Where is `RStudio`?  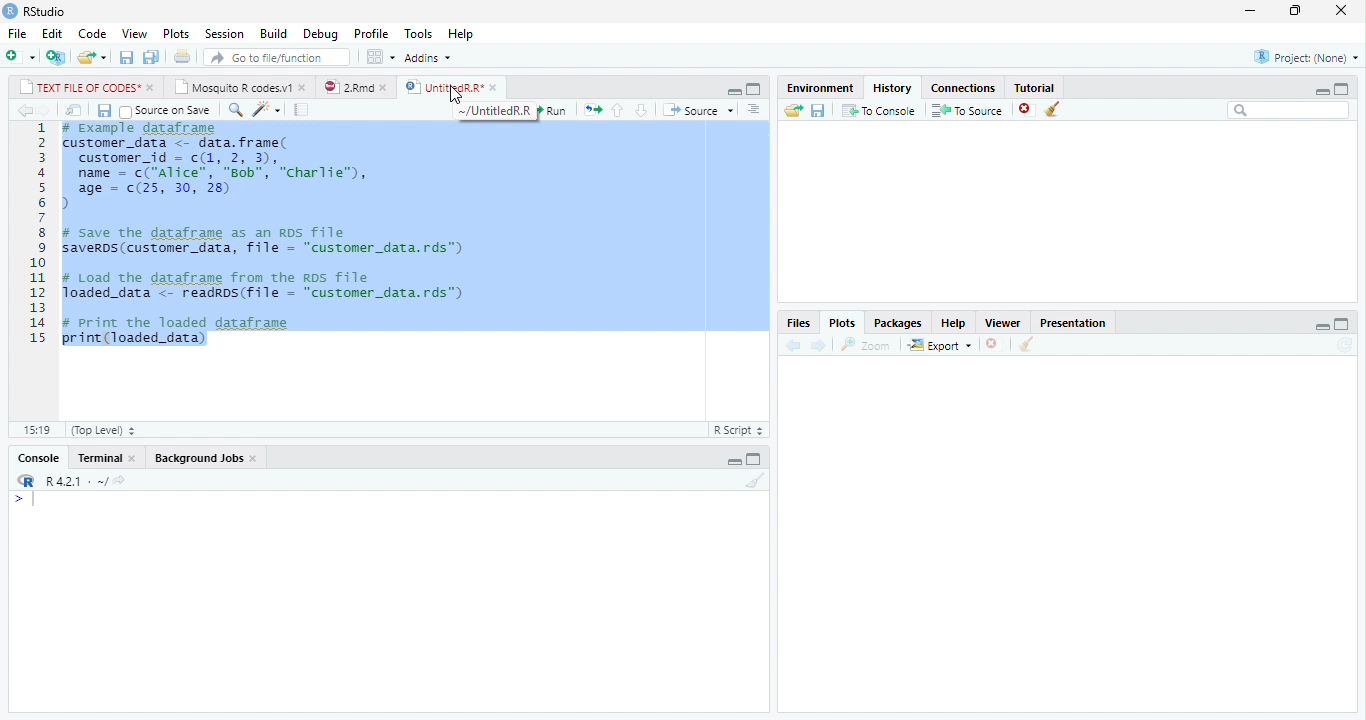 RStudio is located at coordinates (46, 12).